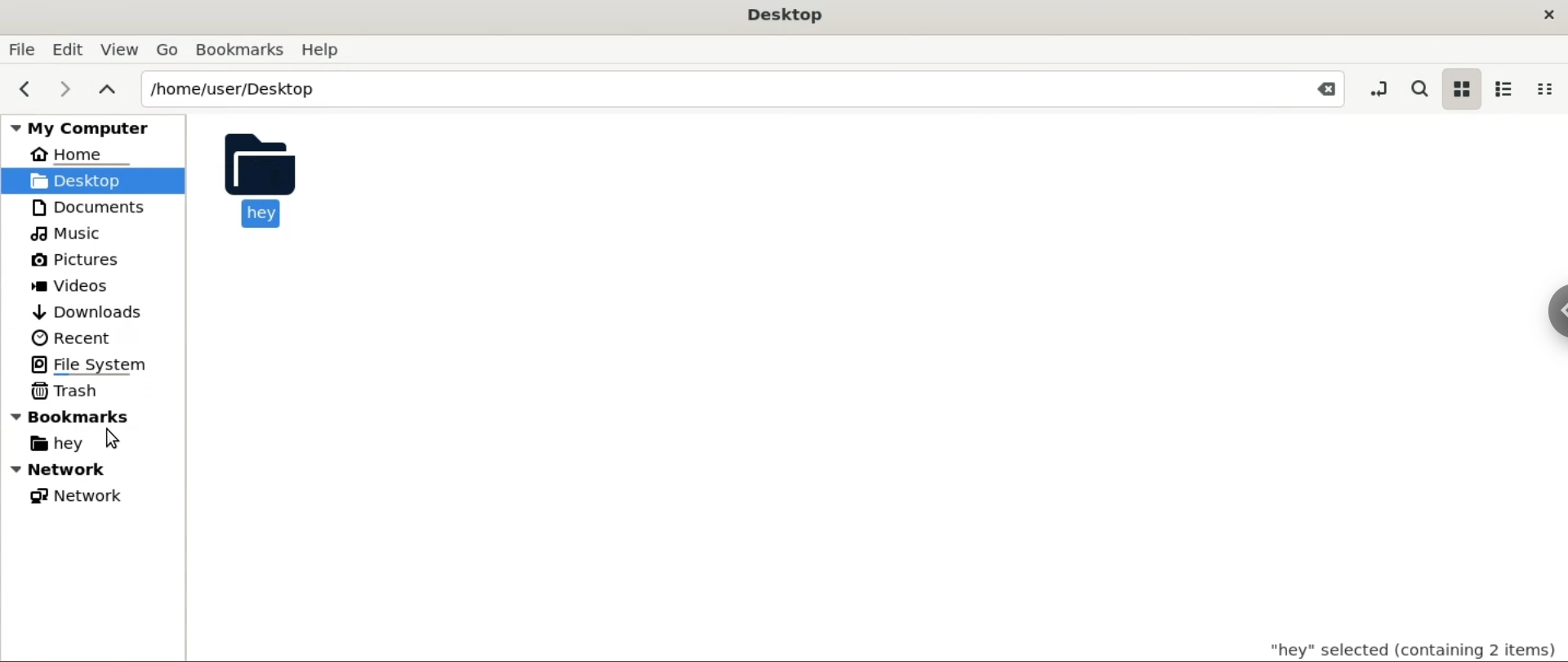  What do you see at coordinates (1549, 88) in the screenshot?
I see `compact view` at bounding box center [1549, 88].